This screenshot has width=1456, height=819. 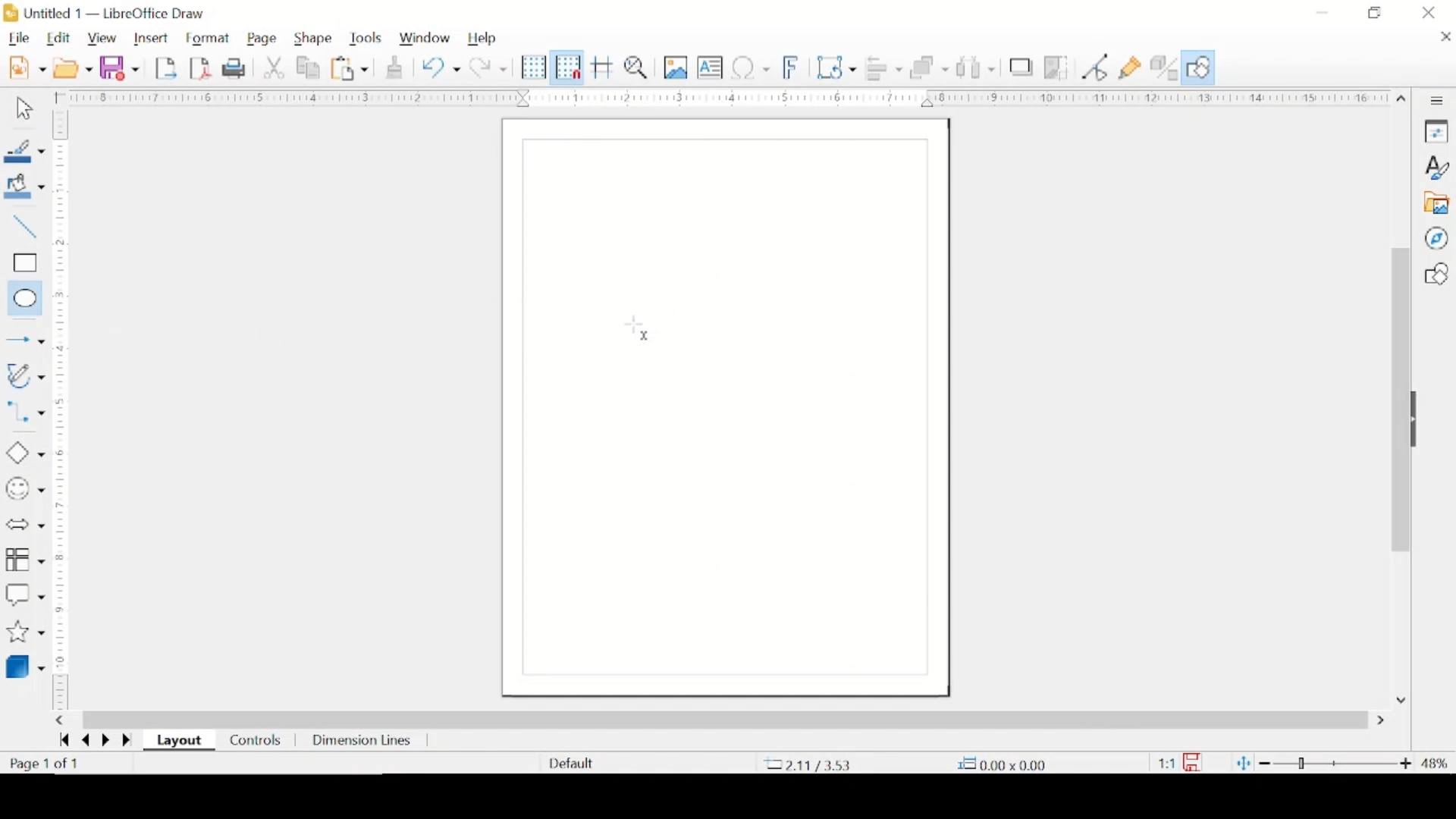 I want to click on undo, so click(x=441, y=67).